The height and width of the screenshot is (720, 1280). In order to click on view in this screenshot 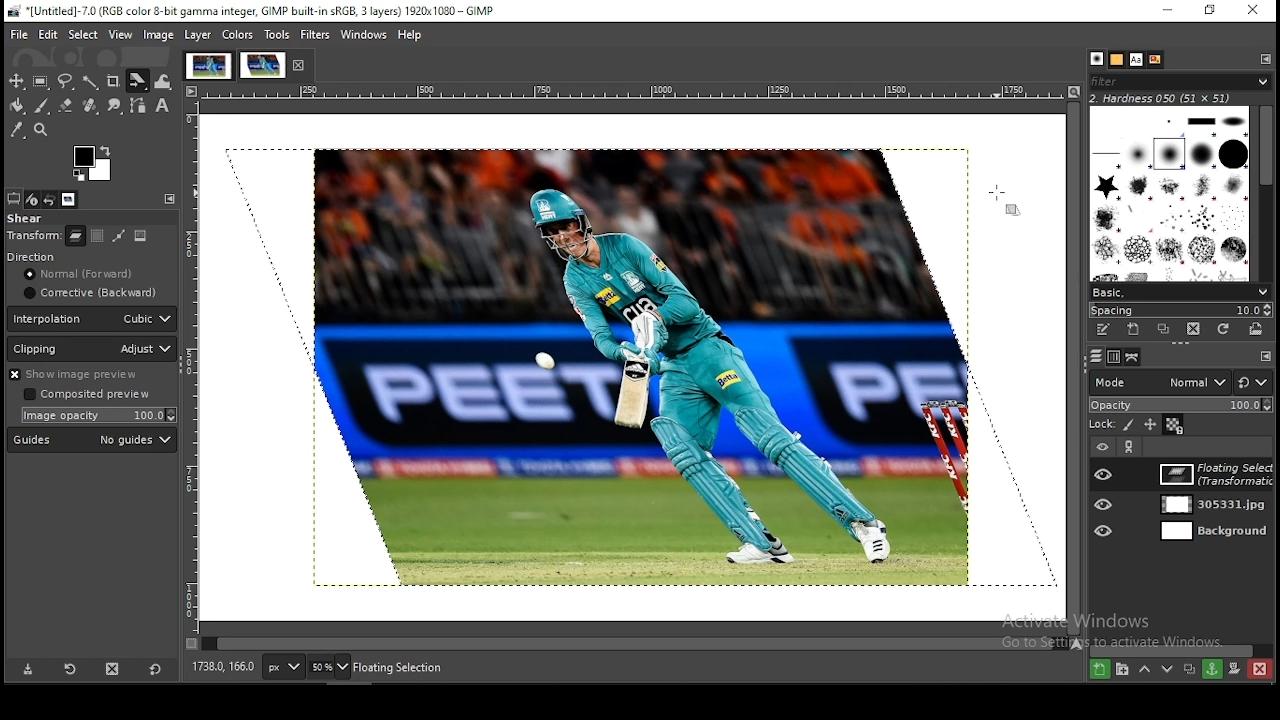, I will do `click(120, 35)`.